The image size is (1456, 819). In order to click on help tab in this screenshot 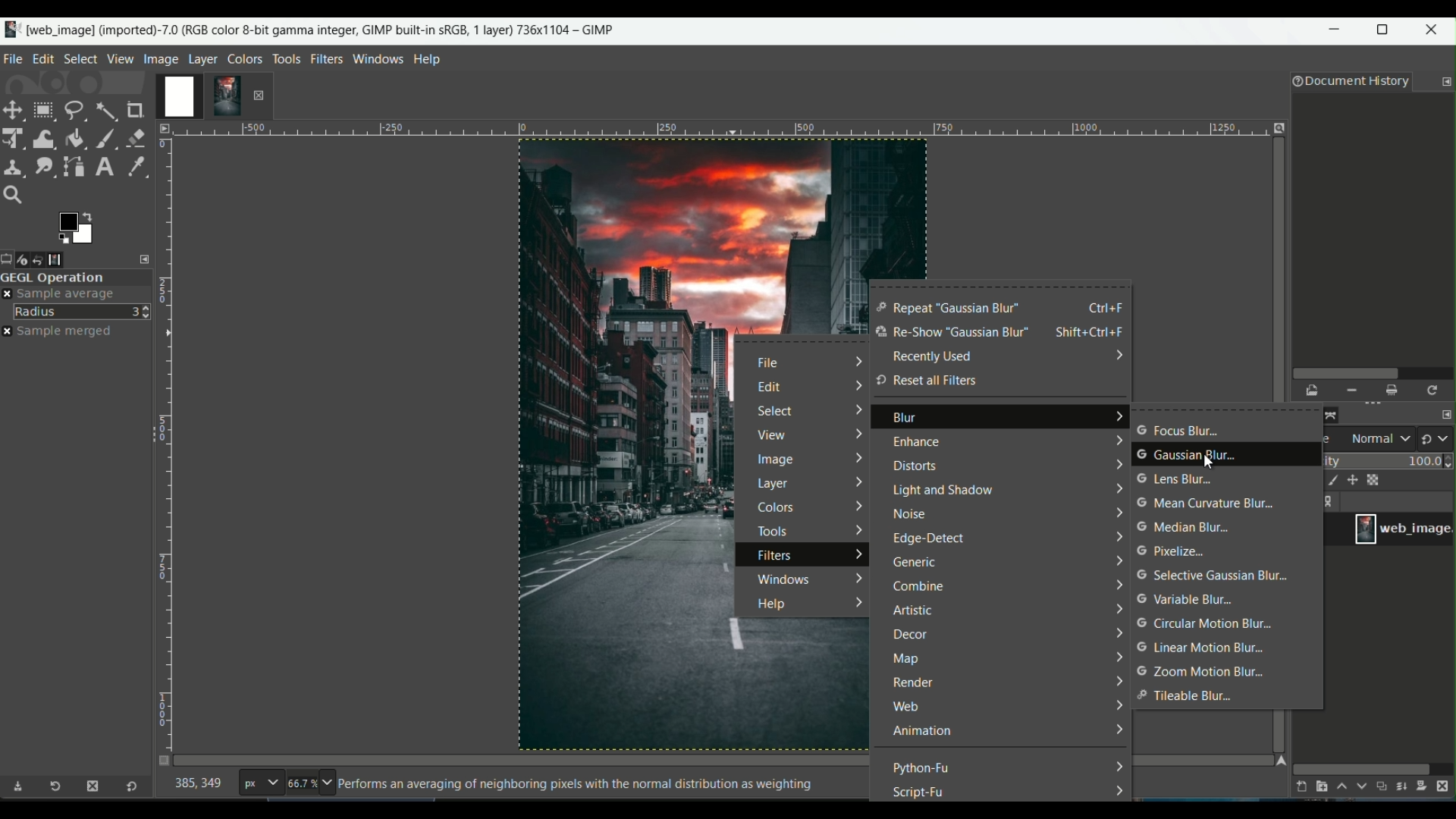, I will do `click(428, 58)`.